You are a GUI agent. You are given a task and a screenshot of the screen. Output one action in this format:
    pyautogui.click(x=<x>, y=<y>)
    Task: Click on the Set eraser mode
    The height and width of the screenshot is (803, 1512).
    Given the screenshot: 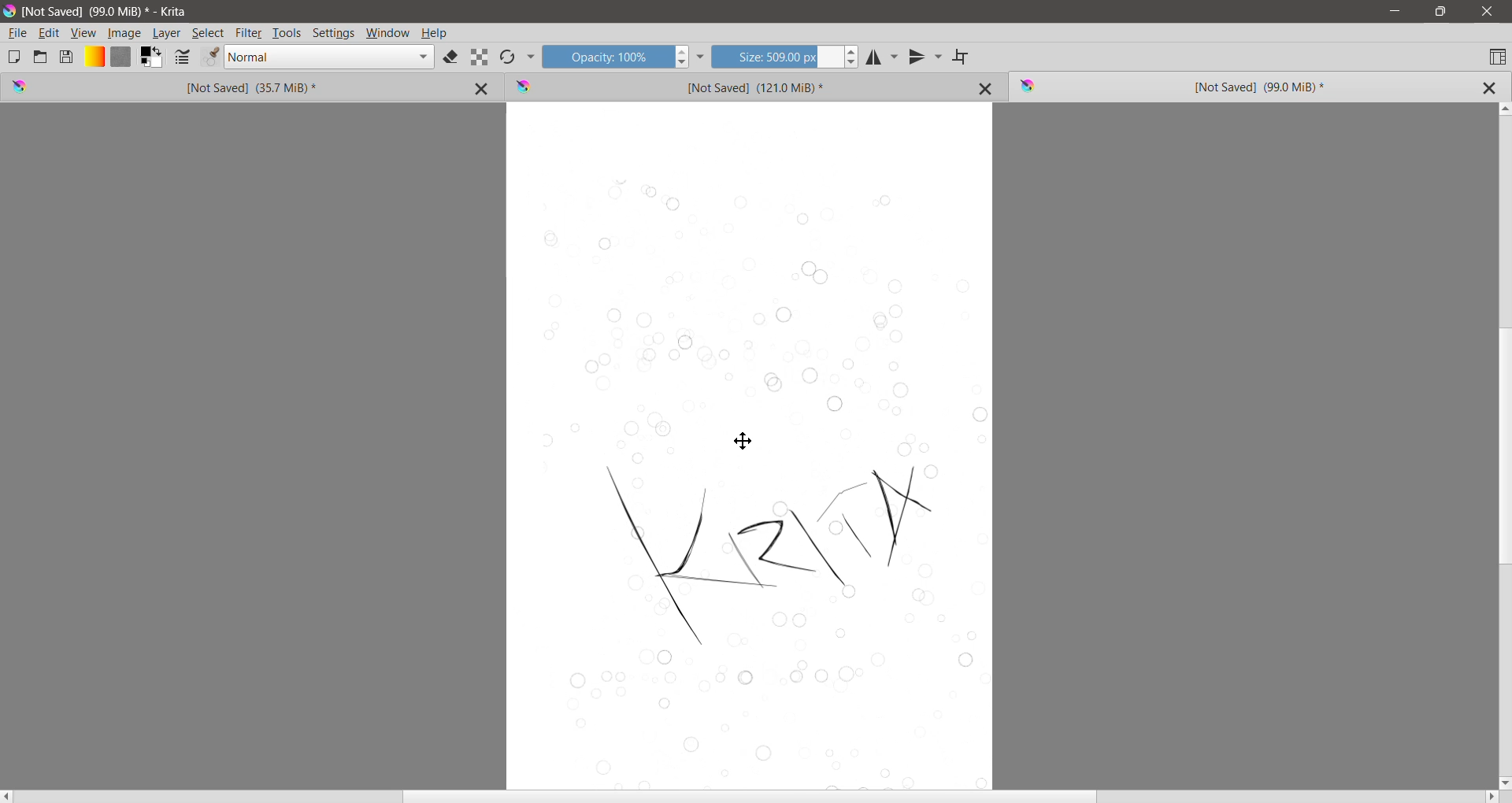 What is the action you would take?
    pyautogui.click(x=452, y=58)
    